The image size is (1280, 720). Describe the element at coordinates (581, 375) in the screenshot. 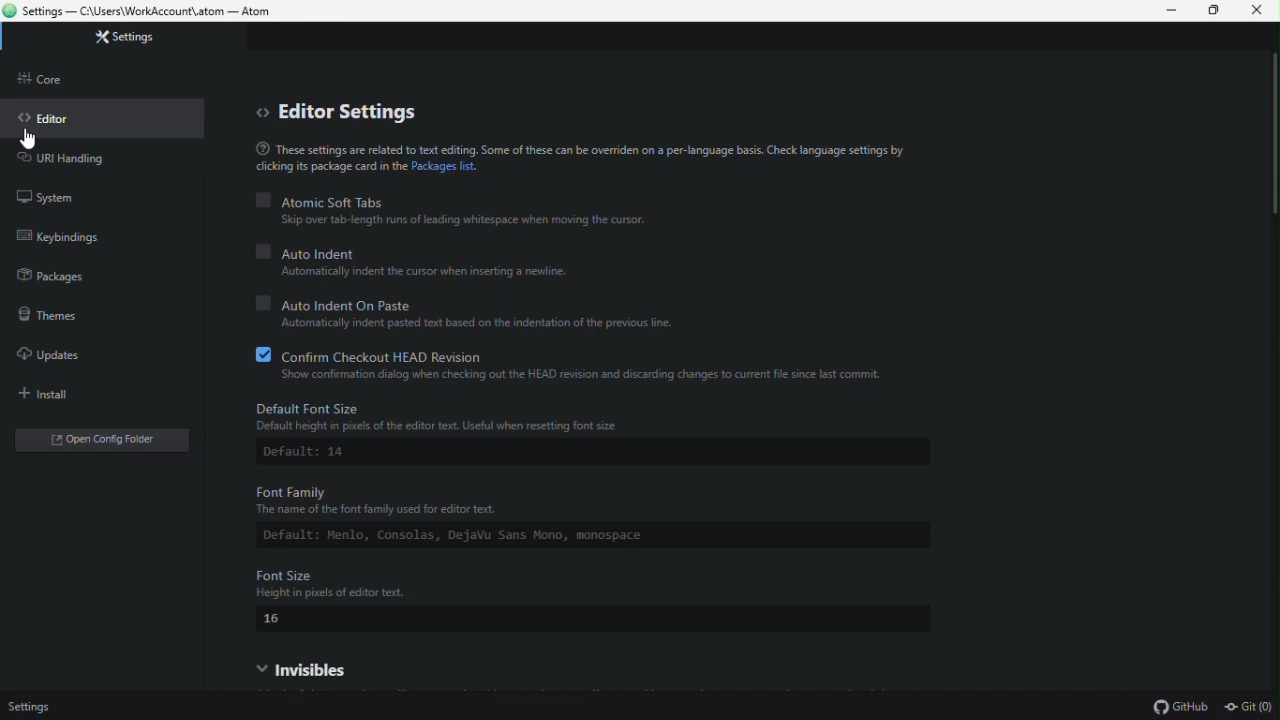

I see `‘Show confirmation dialog when checking out the HEAD revision and discarding changes to current file since last commit.` at that location.